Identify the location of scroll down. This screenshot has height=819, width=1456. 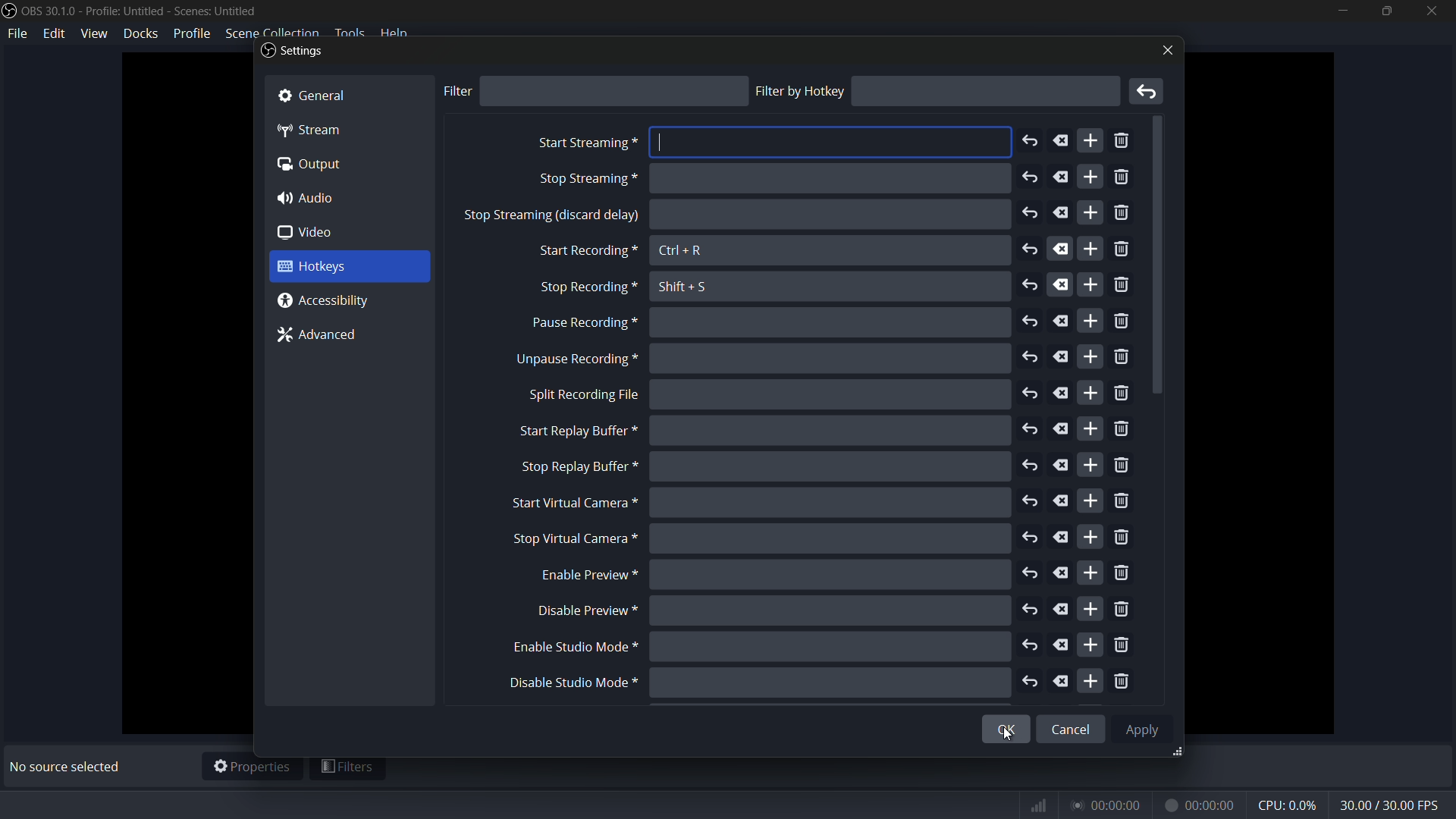
(1160, 257).